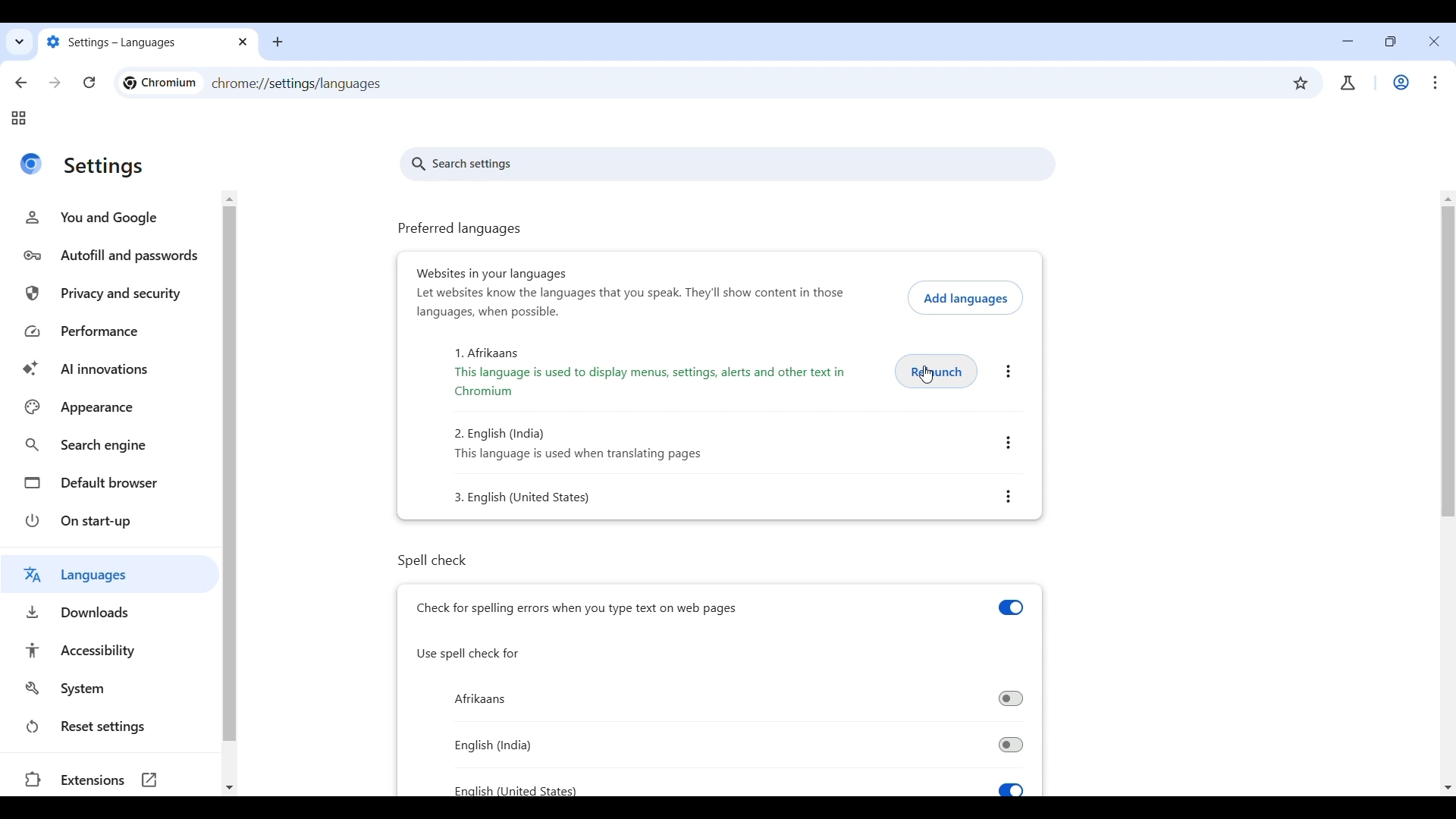  I want to click on Toggle for spell check in English (India), so click(737, 697).